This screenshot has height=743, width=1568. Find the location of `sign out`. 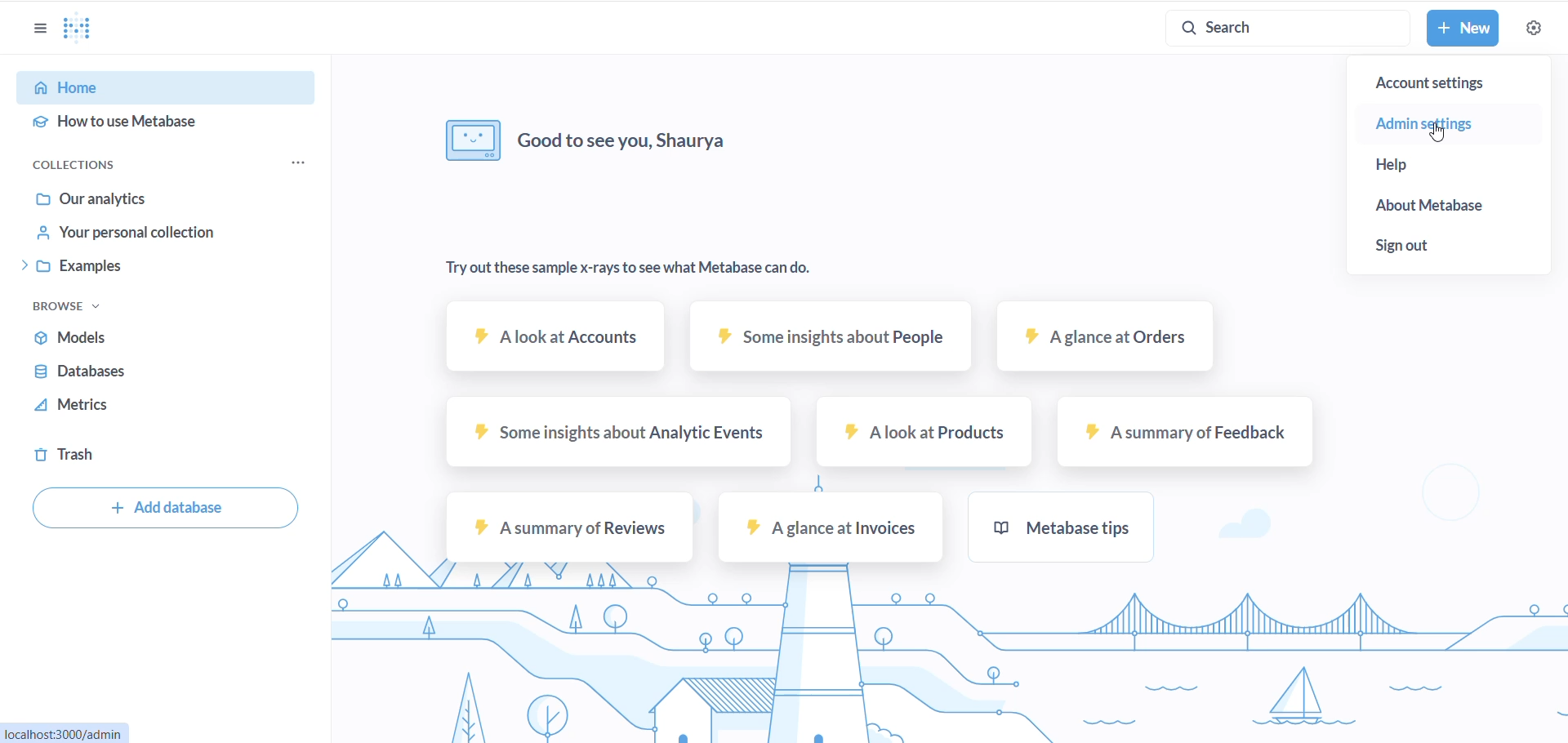

sign out is located at coordinates (1432, 243).